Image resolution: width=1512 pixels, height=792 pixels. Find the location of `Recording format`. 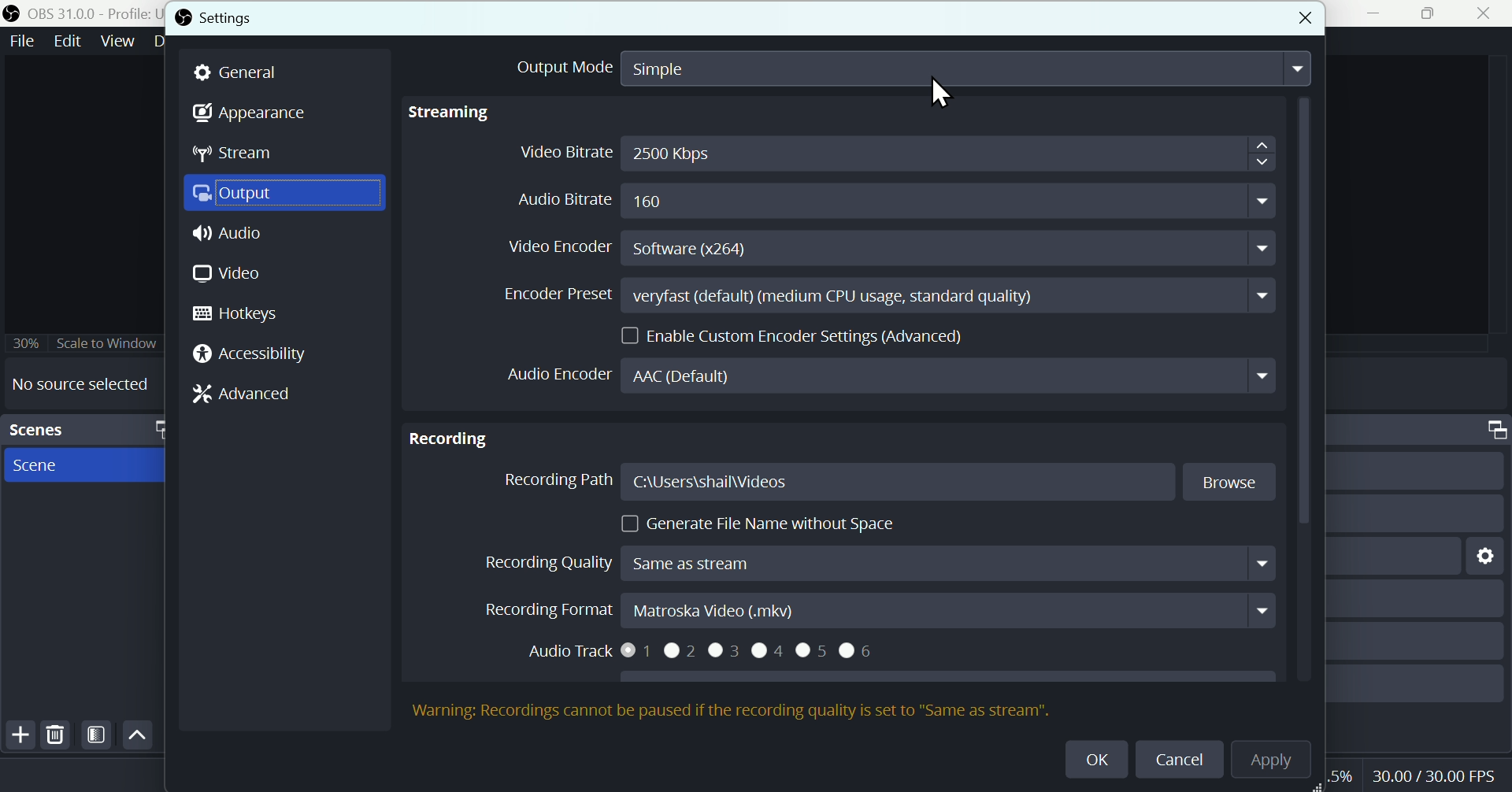

Recording format is located at coordinates (877, 609).